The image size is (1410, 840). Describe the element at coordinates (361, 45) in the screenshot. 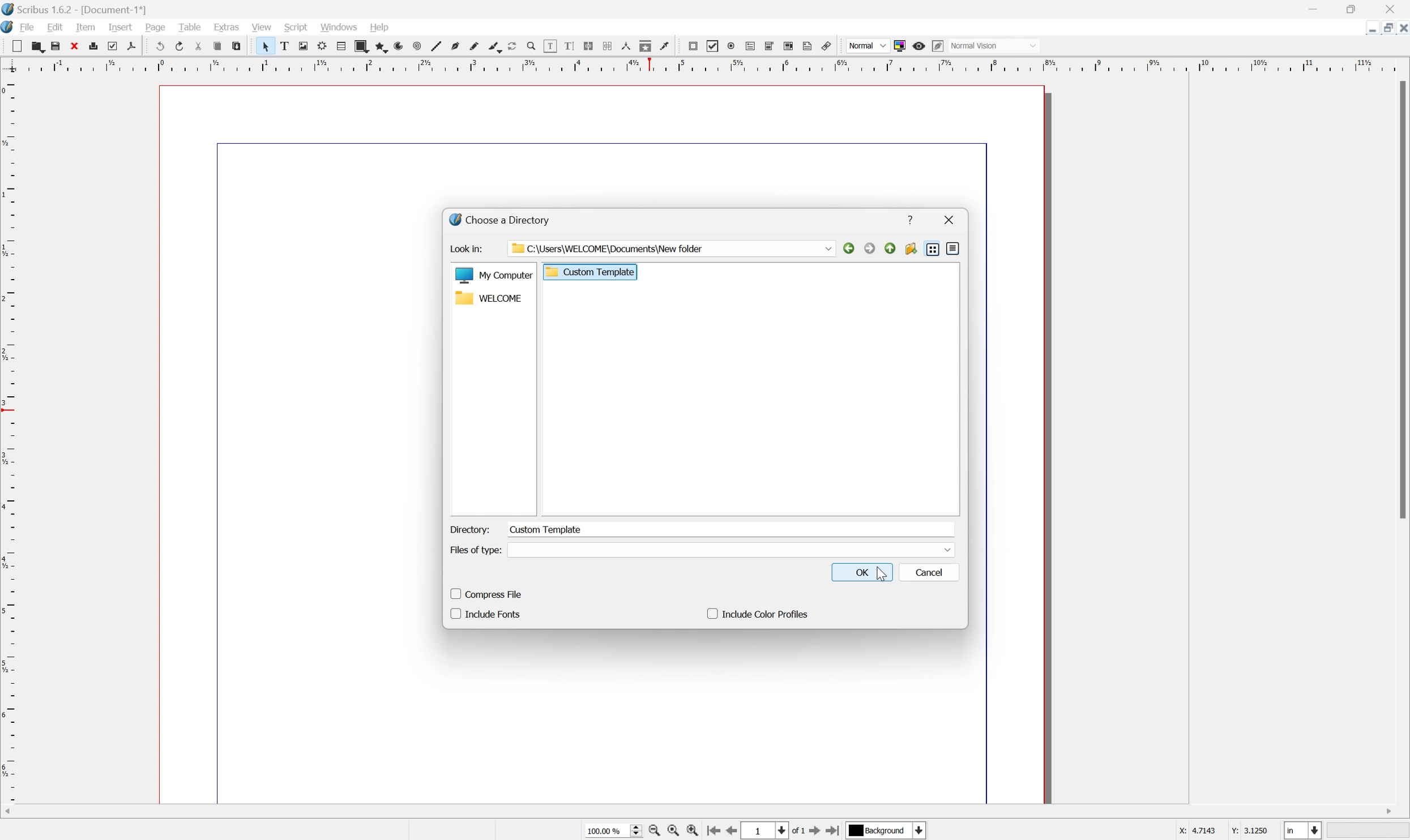

I see `shape` at that location.